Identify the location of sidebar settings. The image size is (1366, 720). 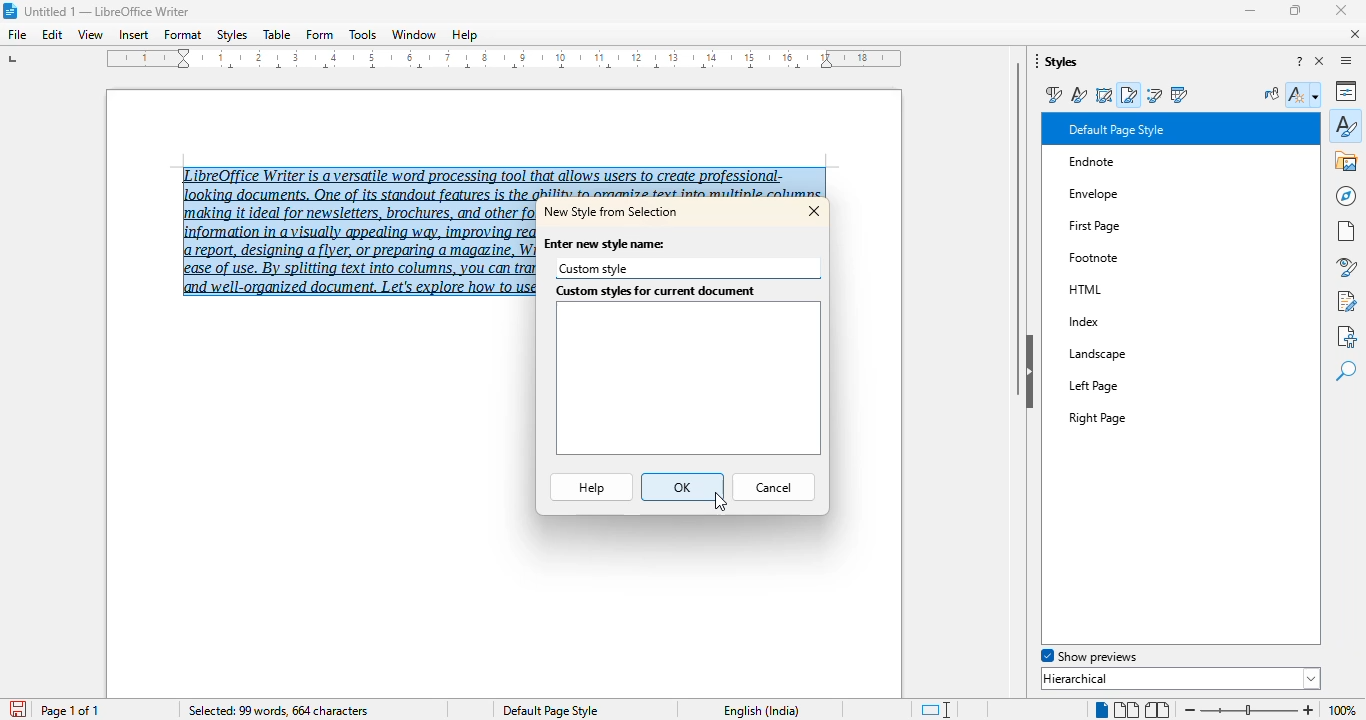
(1346, 61).